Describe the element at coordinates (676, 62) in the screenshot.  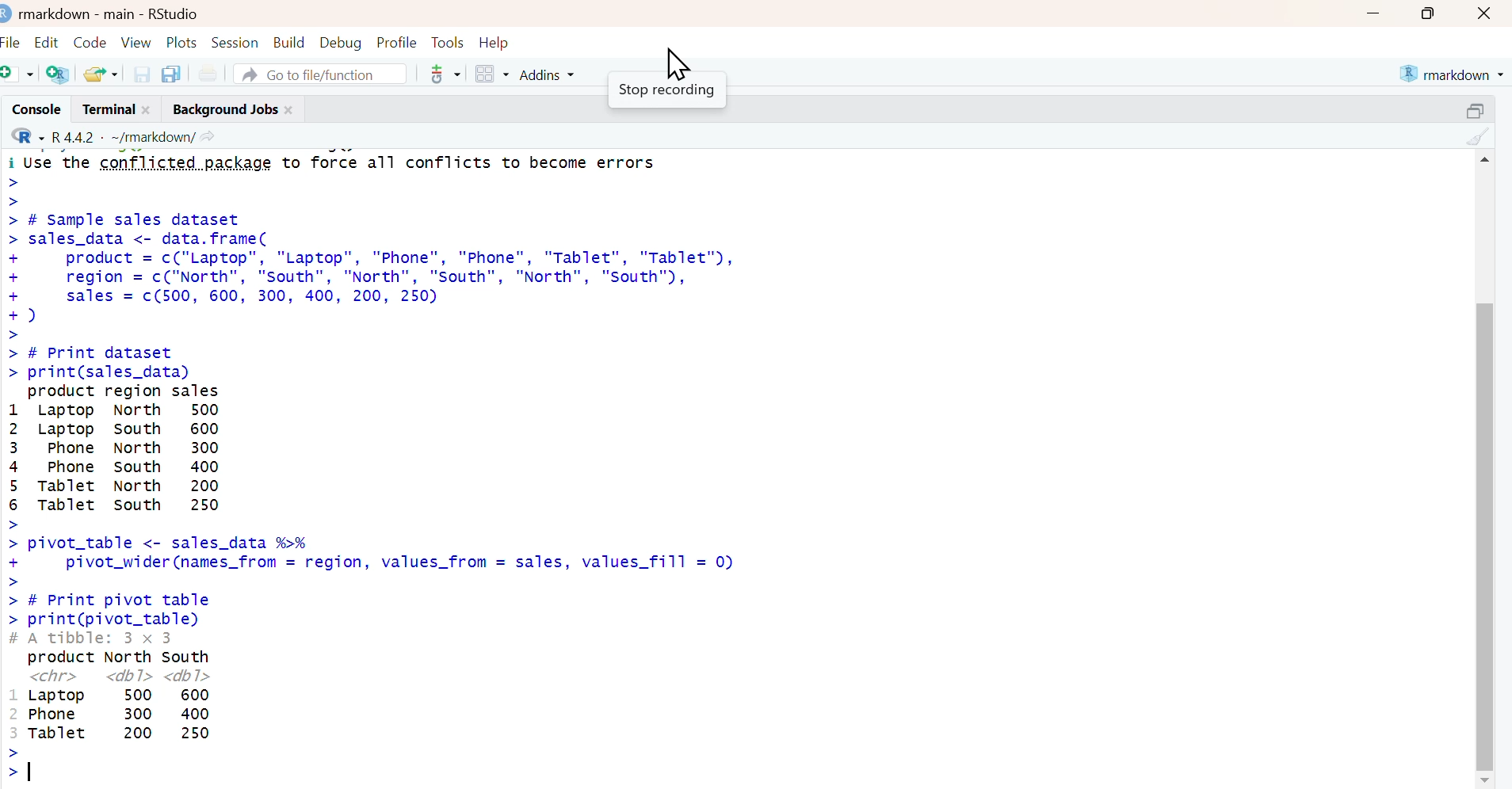
I see `cursor` at that location.